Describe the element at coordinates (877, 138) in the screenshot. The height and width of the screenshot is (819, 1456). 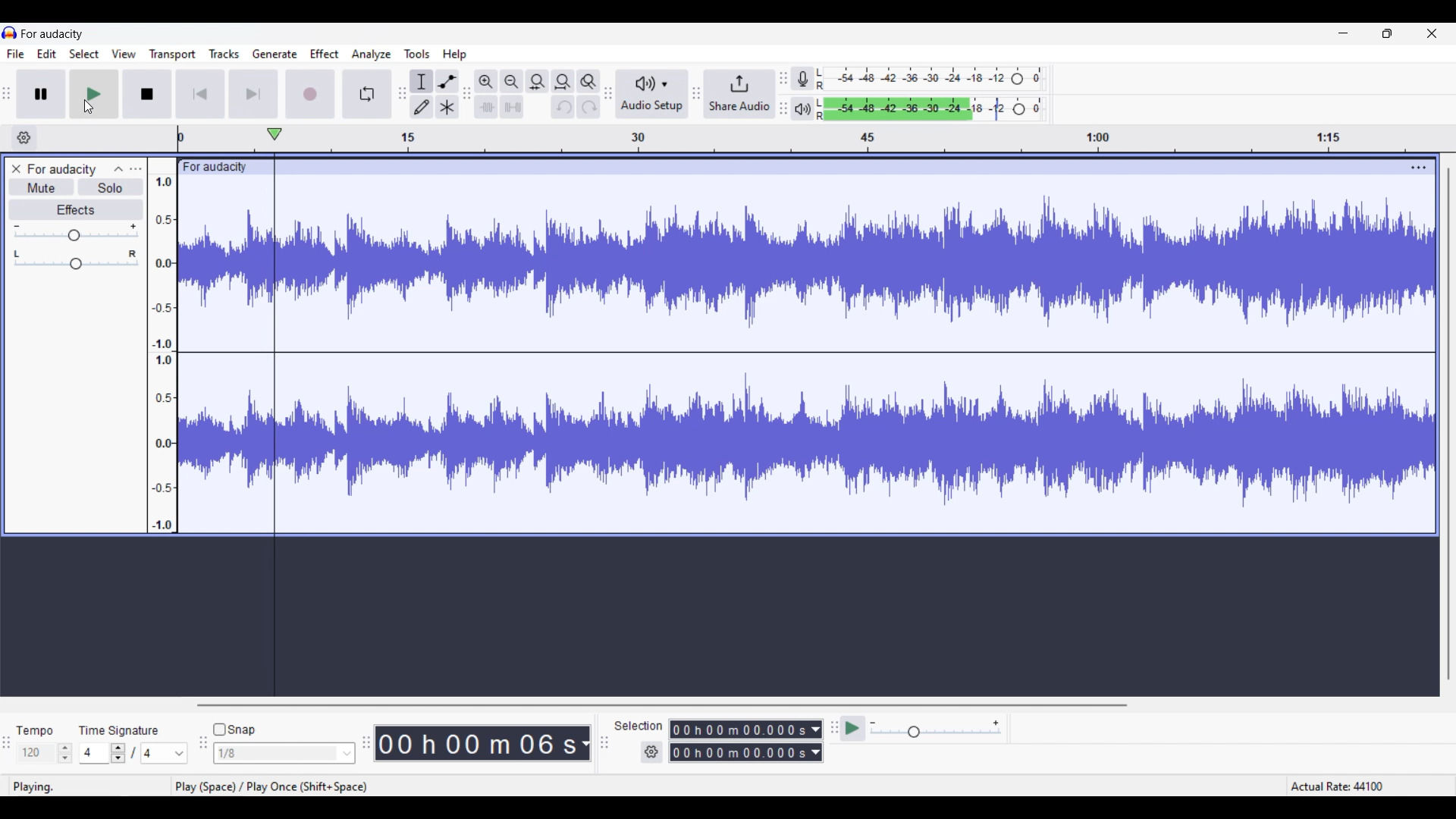
I see `Scale to measure length of track` at that location.